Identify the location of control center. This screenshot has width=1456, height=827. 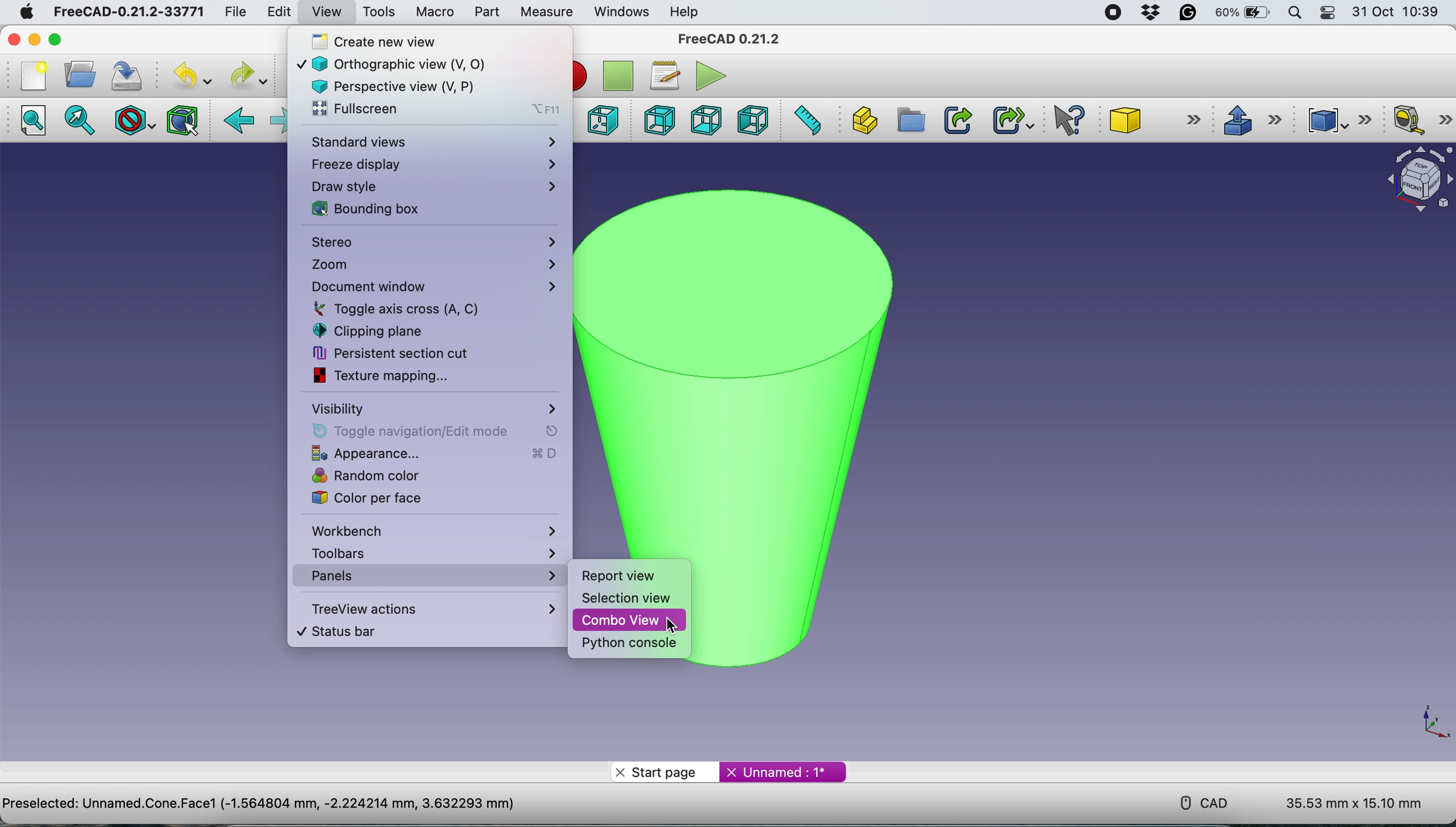
(1329, 14).